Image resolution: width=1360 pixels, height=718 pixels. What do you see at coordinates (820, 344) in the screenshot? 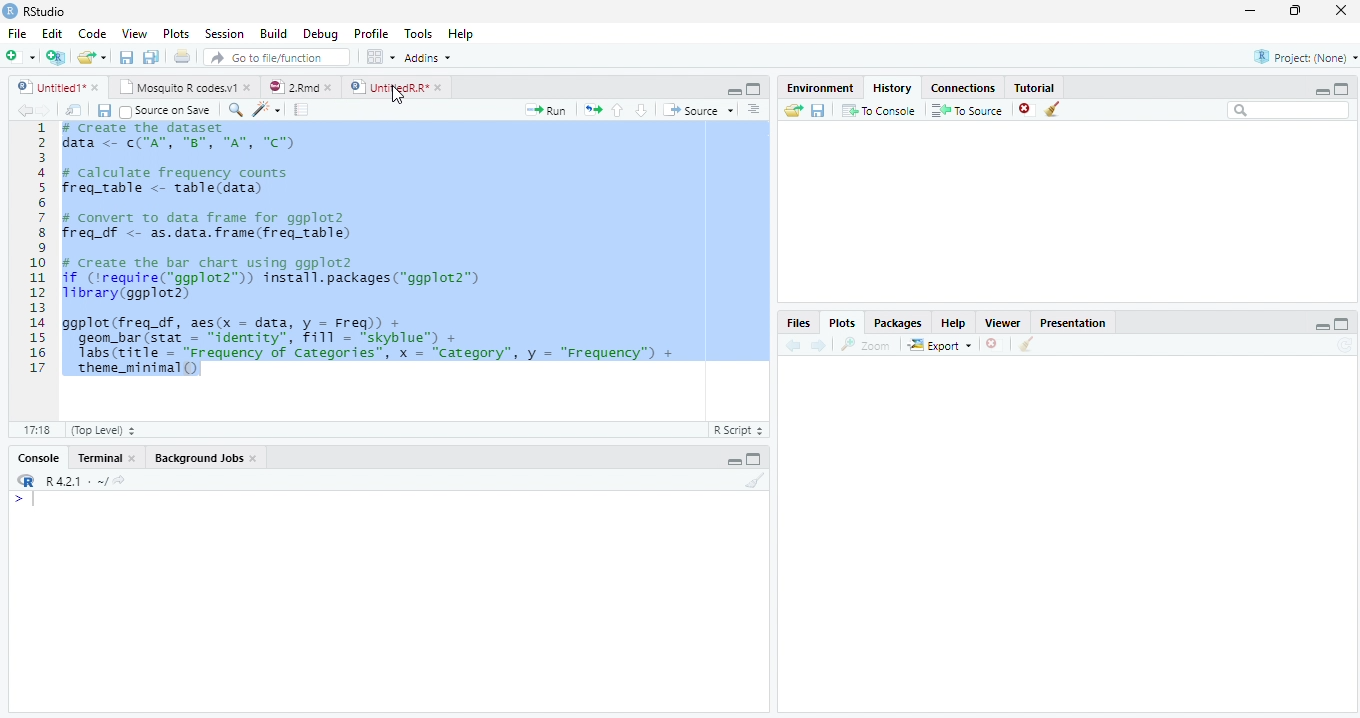
I see `Next` at bounding box center [820, 344].